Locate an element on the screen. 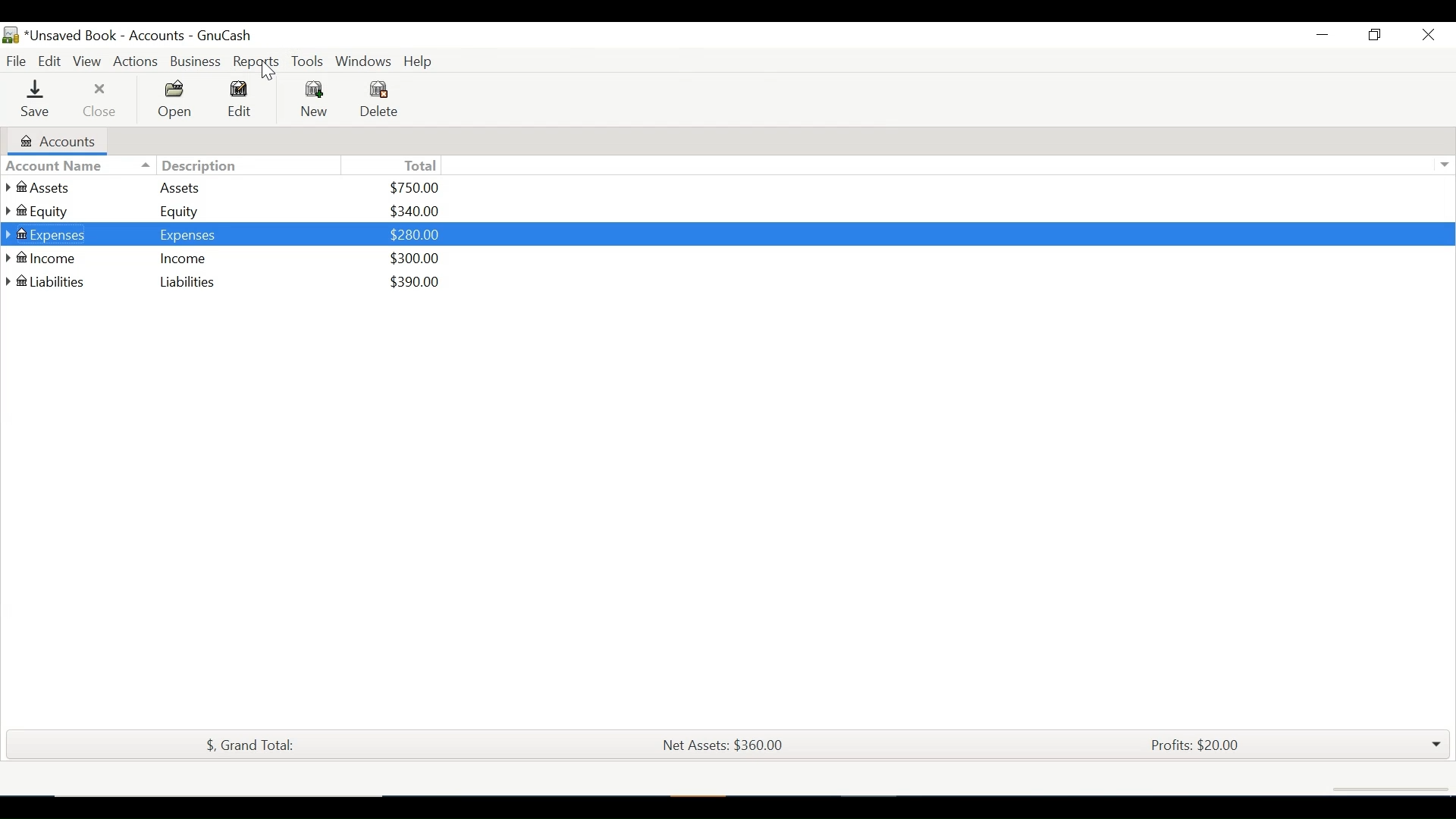  Edit is located at coordinates (240, 100).